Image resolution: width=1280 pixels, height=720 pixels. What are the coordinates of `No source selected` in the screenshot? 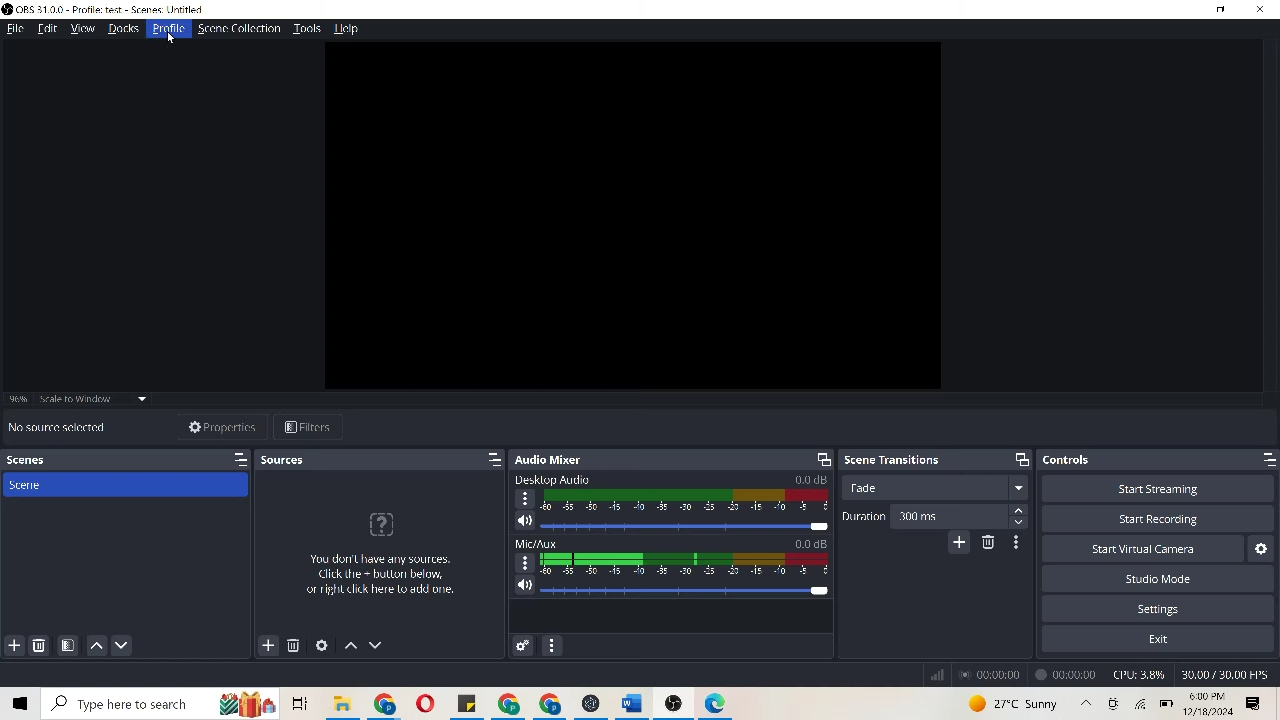 It's located at (59, 427).